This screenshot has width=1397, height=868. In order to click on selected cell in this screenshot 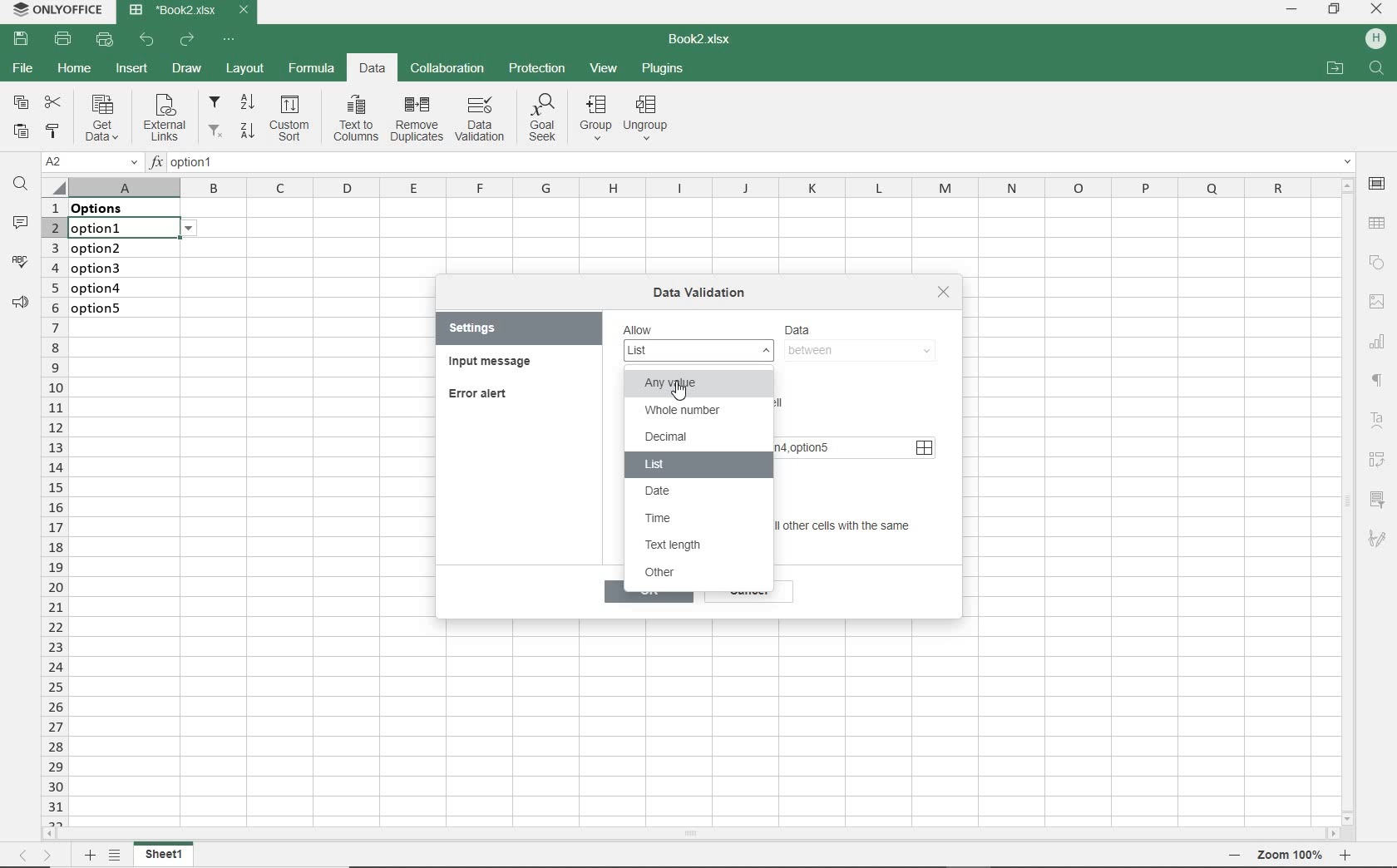, I will do `click(124, 230)`.